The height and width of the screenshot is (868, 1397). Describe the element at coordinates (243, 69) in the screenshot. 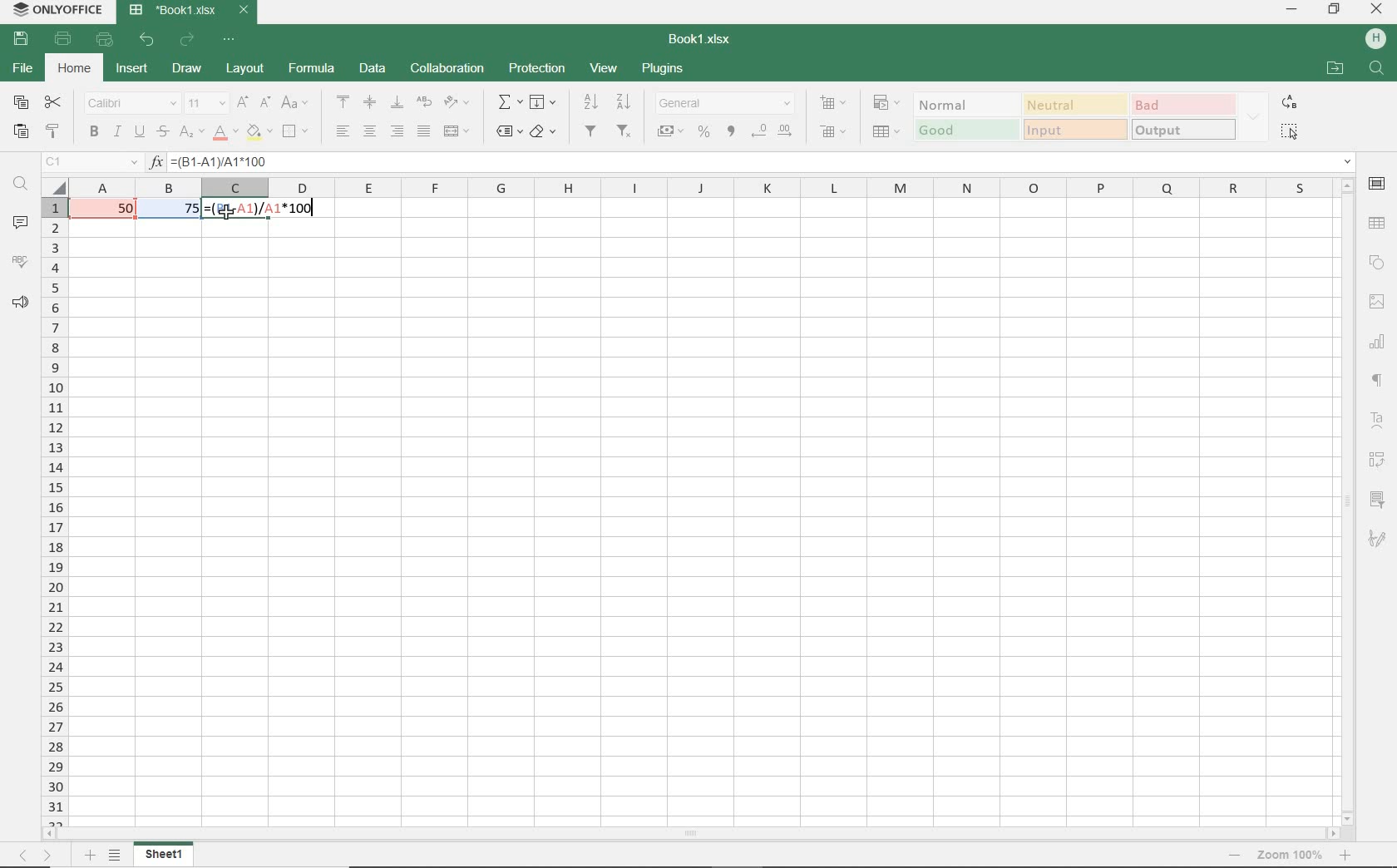

I see `layout` at that location.